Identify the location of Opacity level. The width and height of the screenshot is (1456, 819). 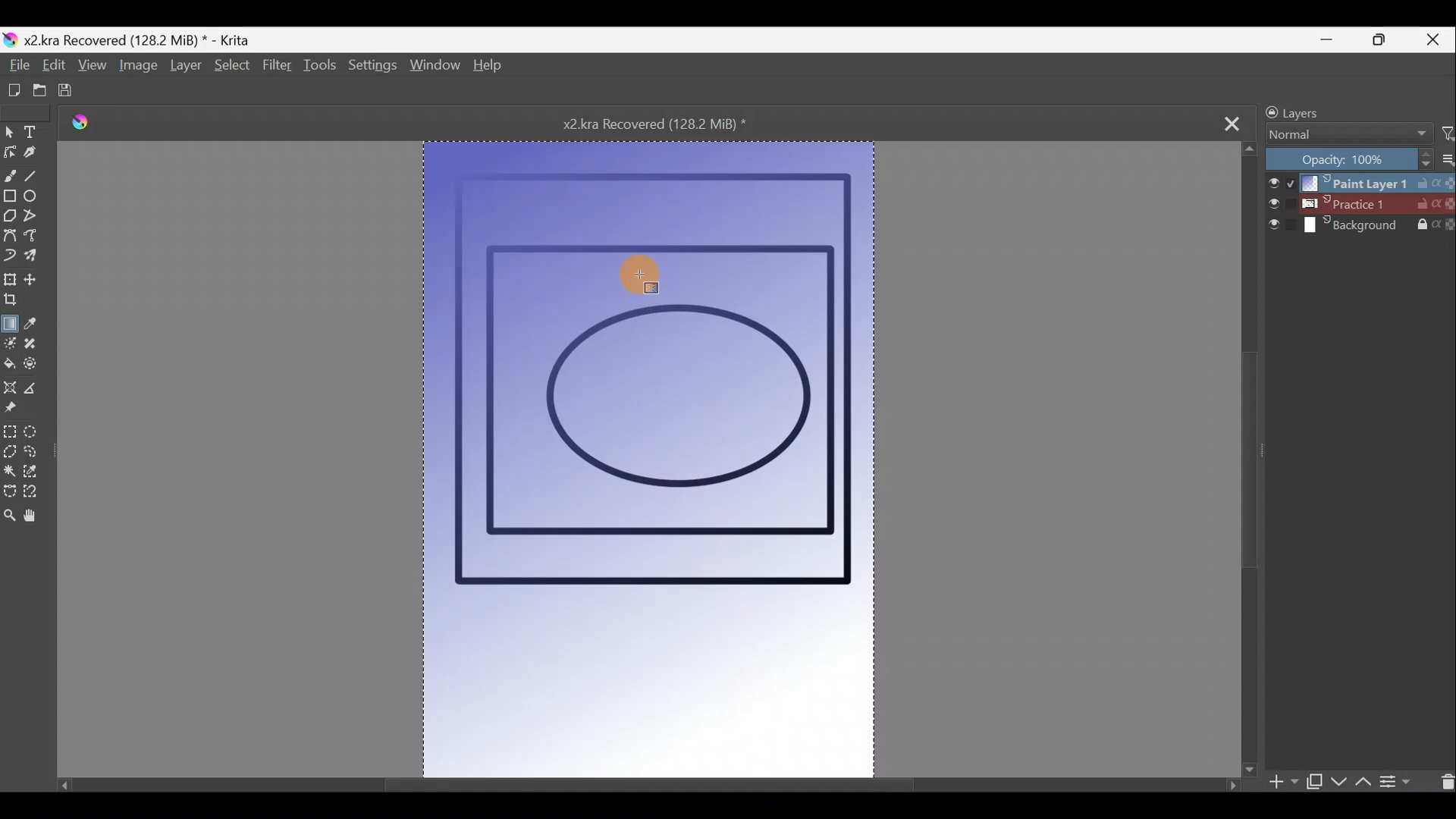
(1359, 158).